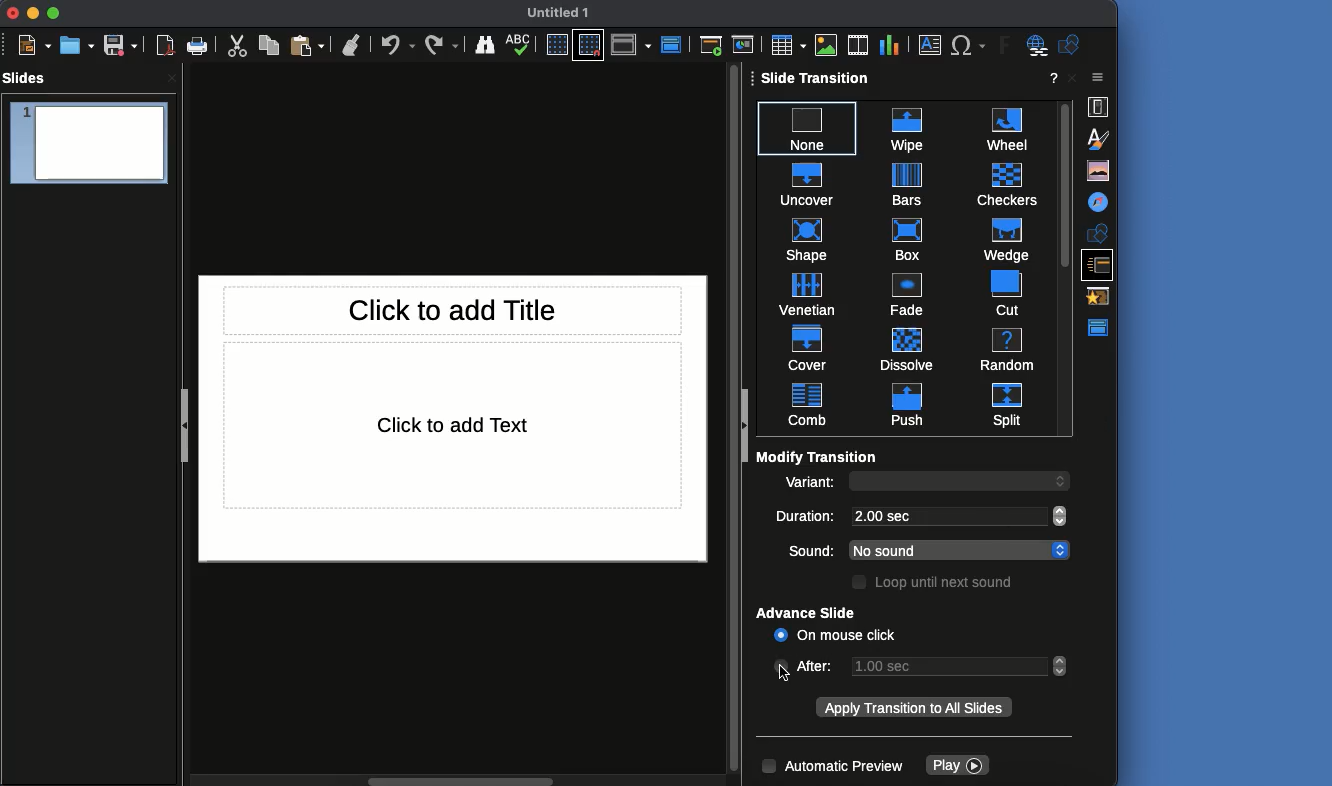 The image size is (1332, 786). Describe the element at coordinates (818, 456) in the screenshot. I see `Modify transition` at that location.